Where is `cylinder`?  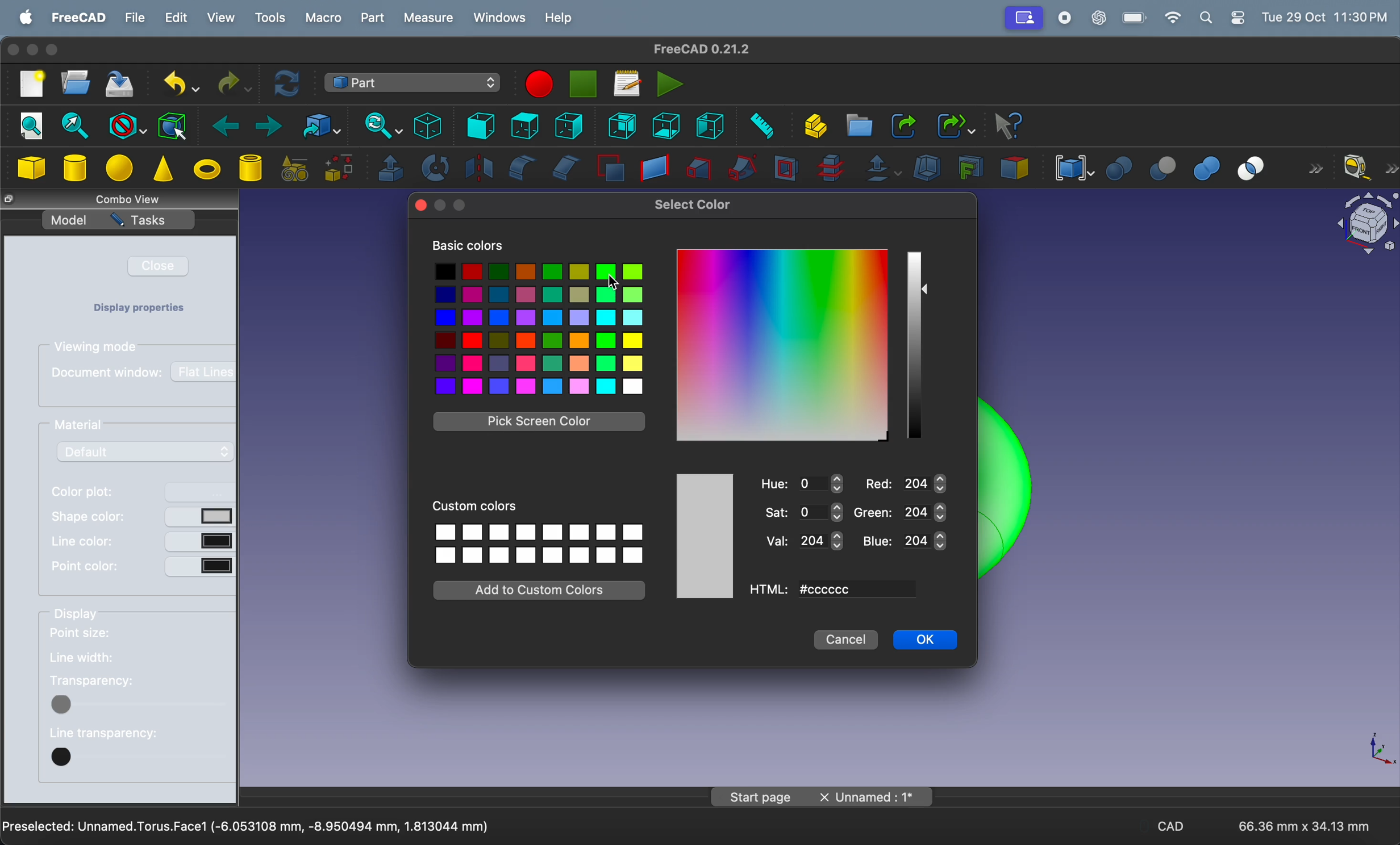 cylinder is located at coordinates (74, 166).